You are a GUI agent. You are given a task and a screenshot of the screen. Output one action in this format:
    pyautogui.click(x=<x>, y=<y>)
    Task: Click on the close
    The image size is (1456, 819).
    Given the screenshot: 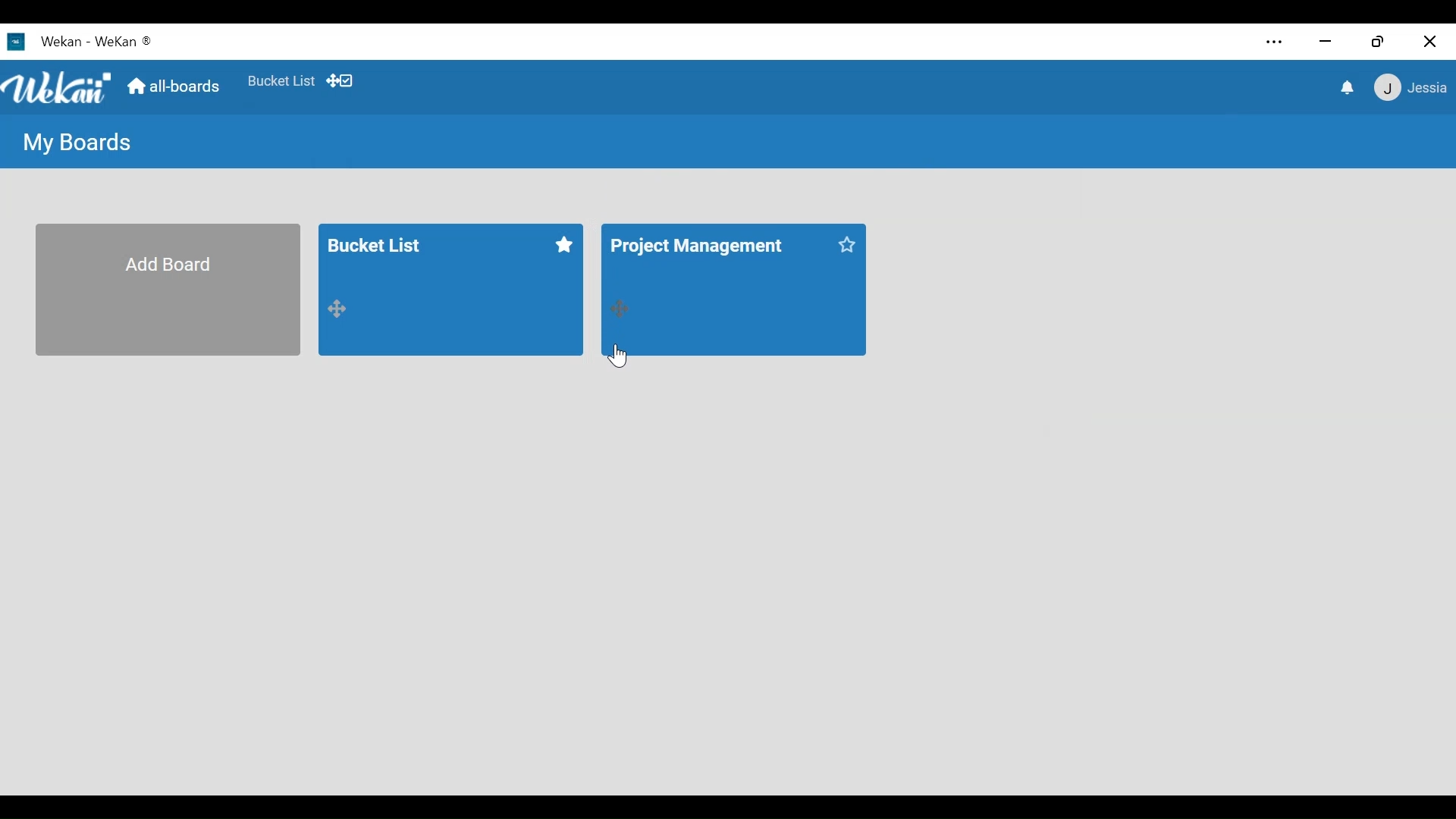 What is the action you would take?
    pyautogui.click(x=1429, y=42)
    